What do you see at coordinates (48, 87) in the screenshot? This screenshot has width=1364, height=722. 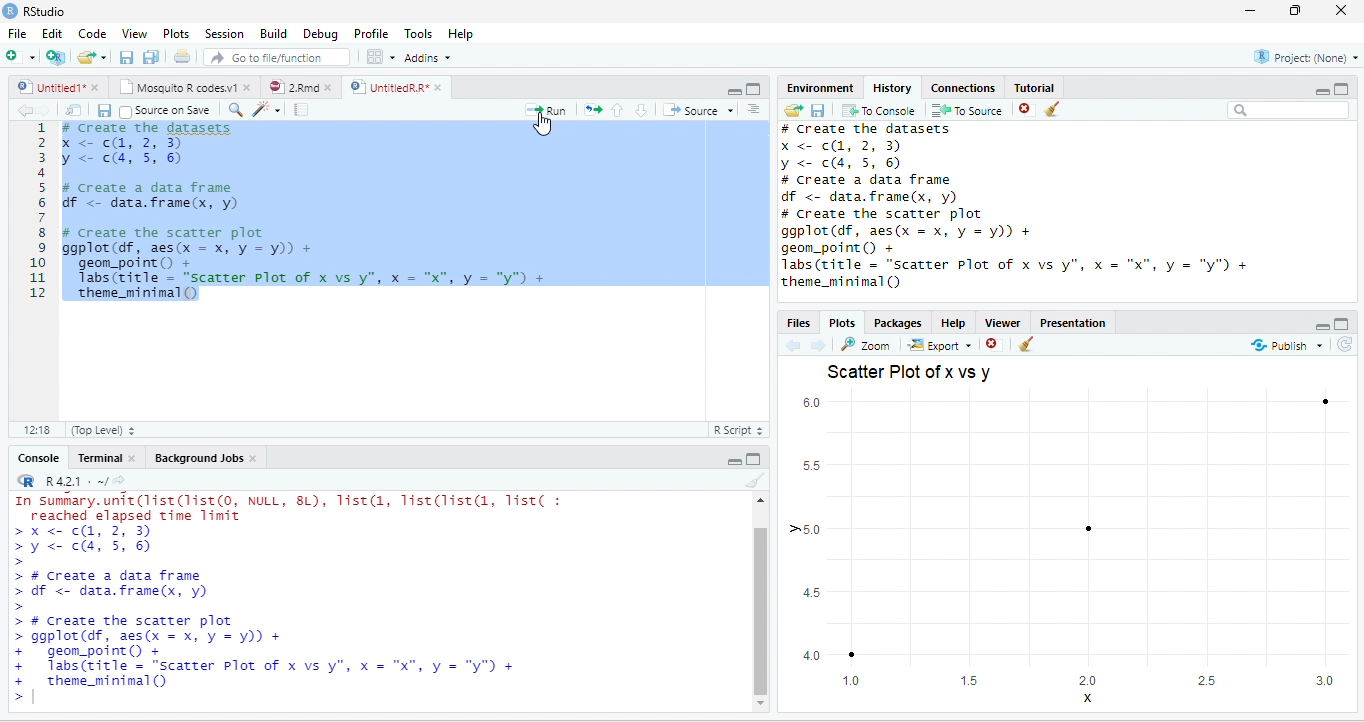 I see `Untitled1*` at bounding box center [48, 87].